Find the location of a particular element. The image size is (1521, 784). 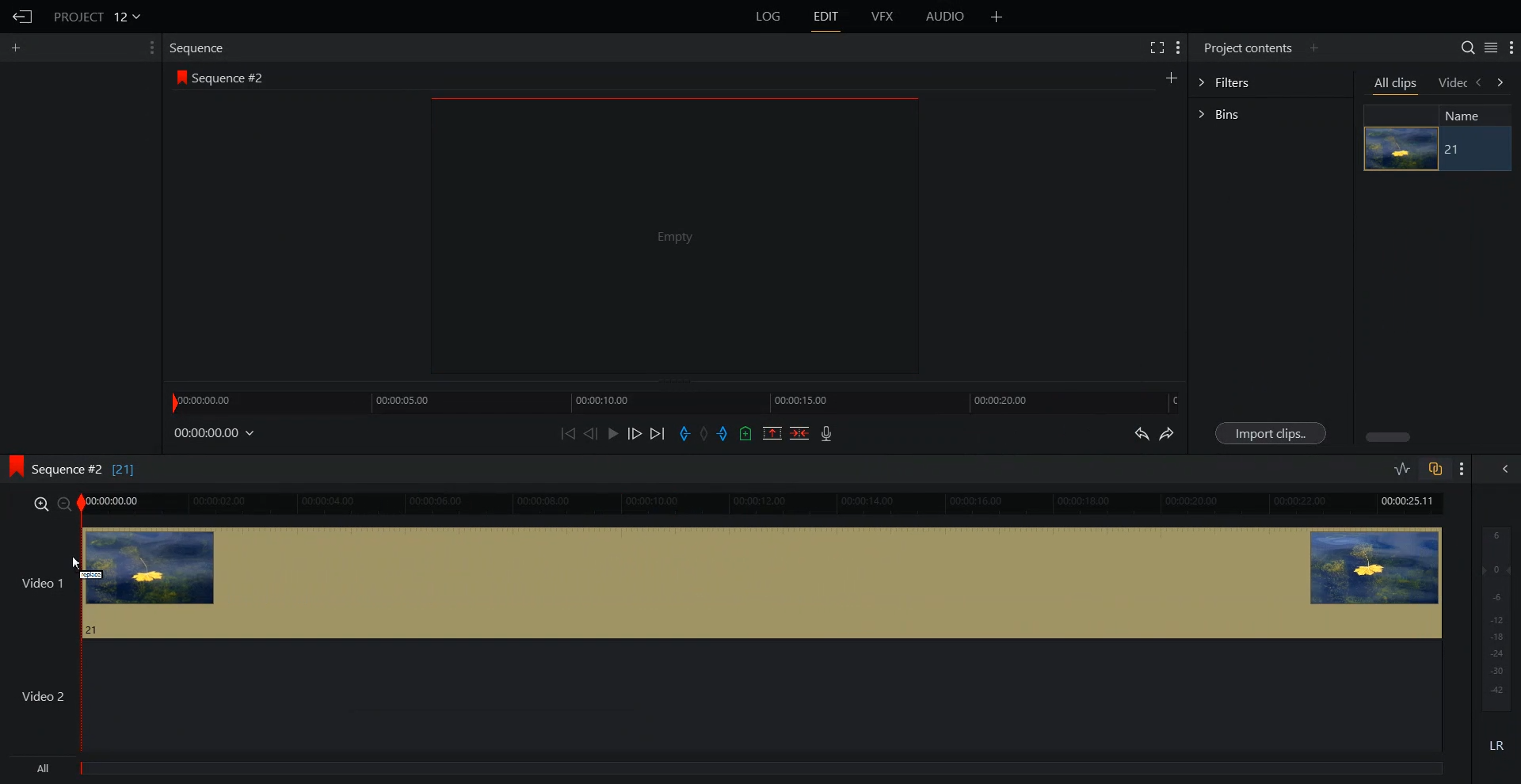

All clips is located at coordinates (1395, 84).